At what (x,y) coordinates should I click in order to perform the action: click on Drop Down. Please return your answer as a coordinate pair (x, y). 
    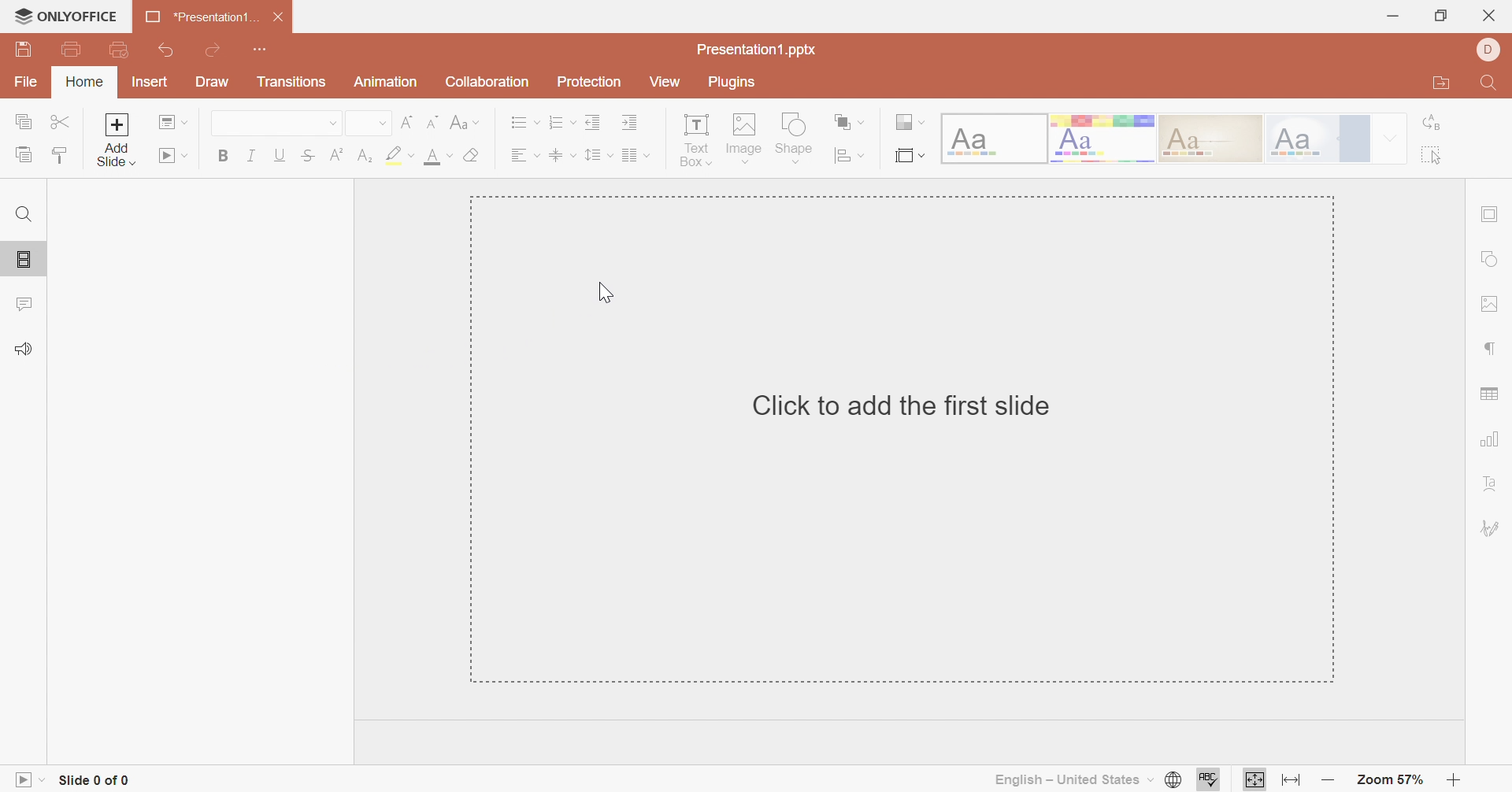
    Looking at the image, I should click on (537, 121).